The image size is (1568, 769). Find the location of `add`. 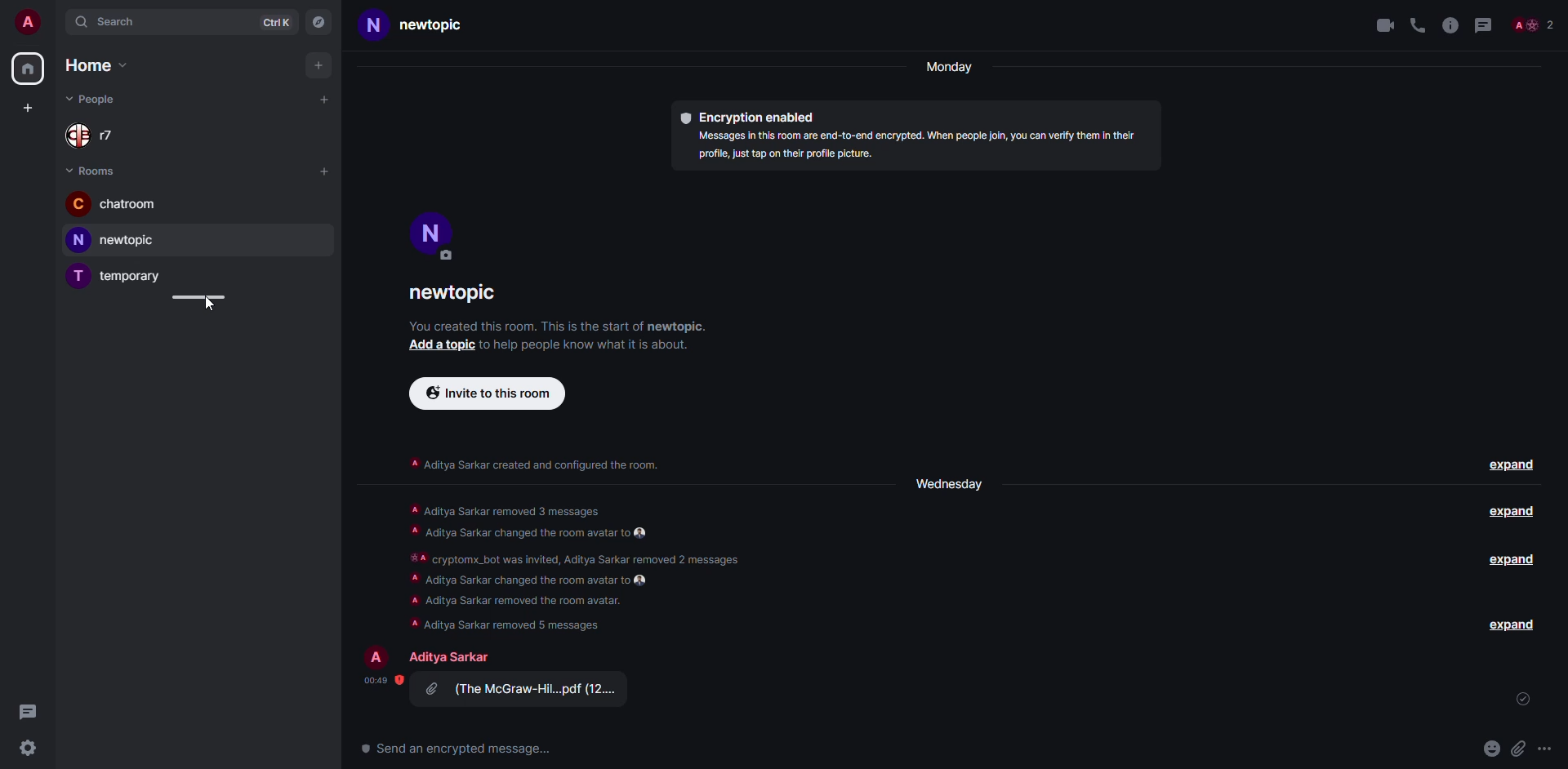

add is located at coordinates (28, 107).